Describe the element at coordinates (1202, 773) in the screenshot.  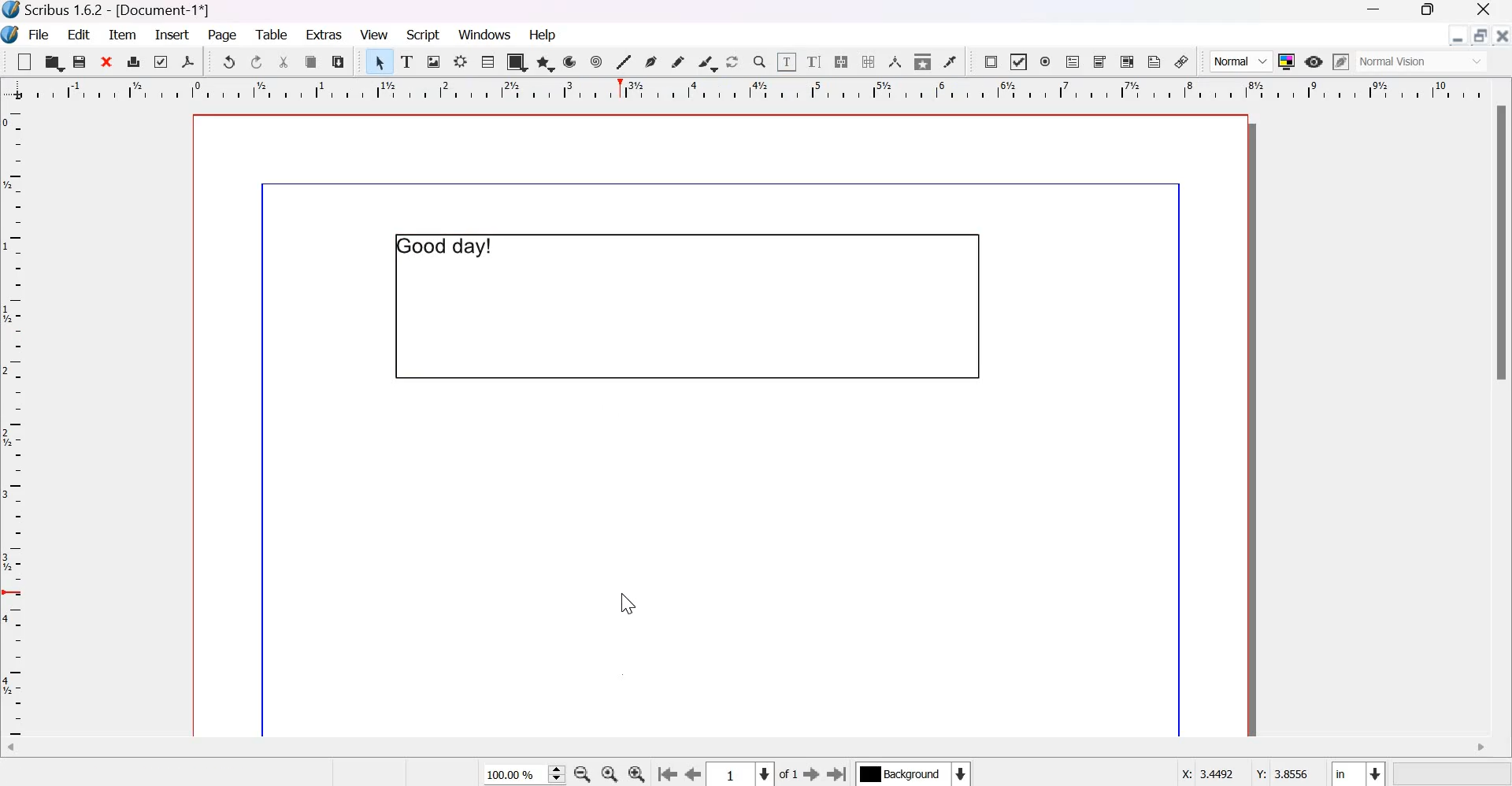
I see `X: 3.4492` at that location.